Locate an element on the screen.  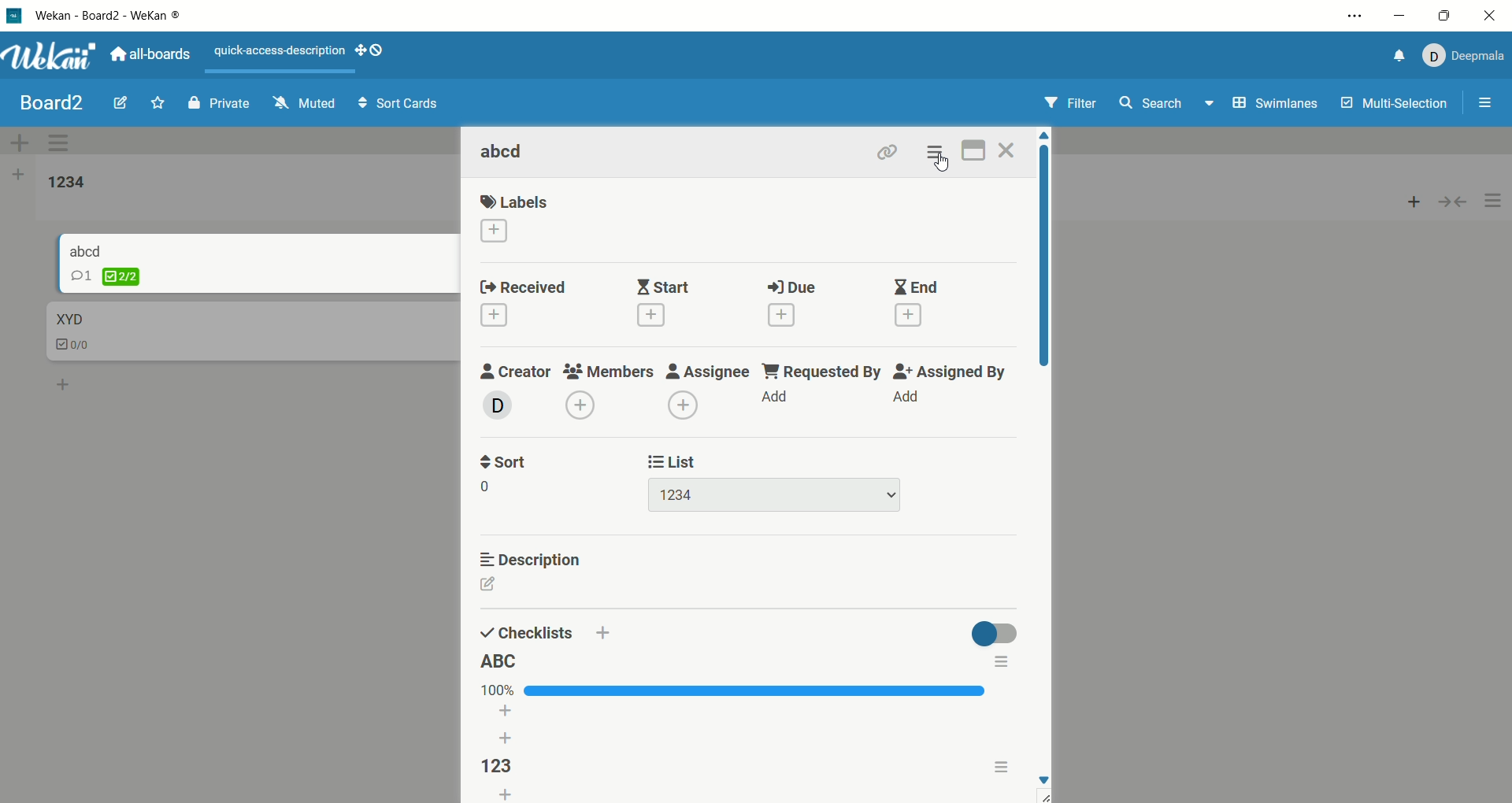
card title is located at coordinates (507, 151).